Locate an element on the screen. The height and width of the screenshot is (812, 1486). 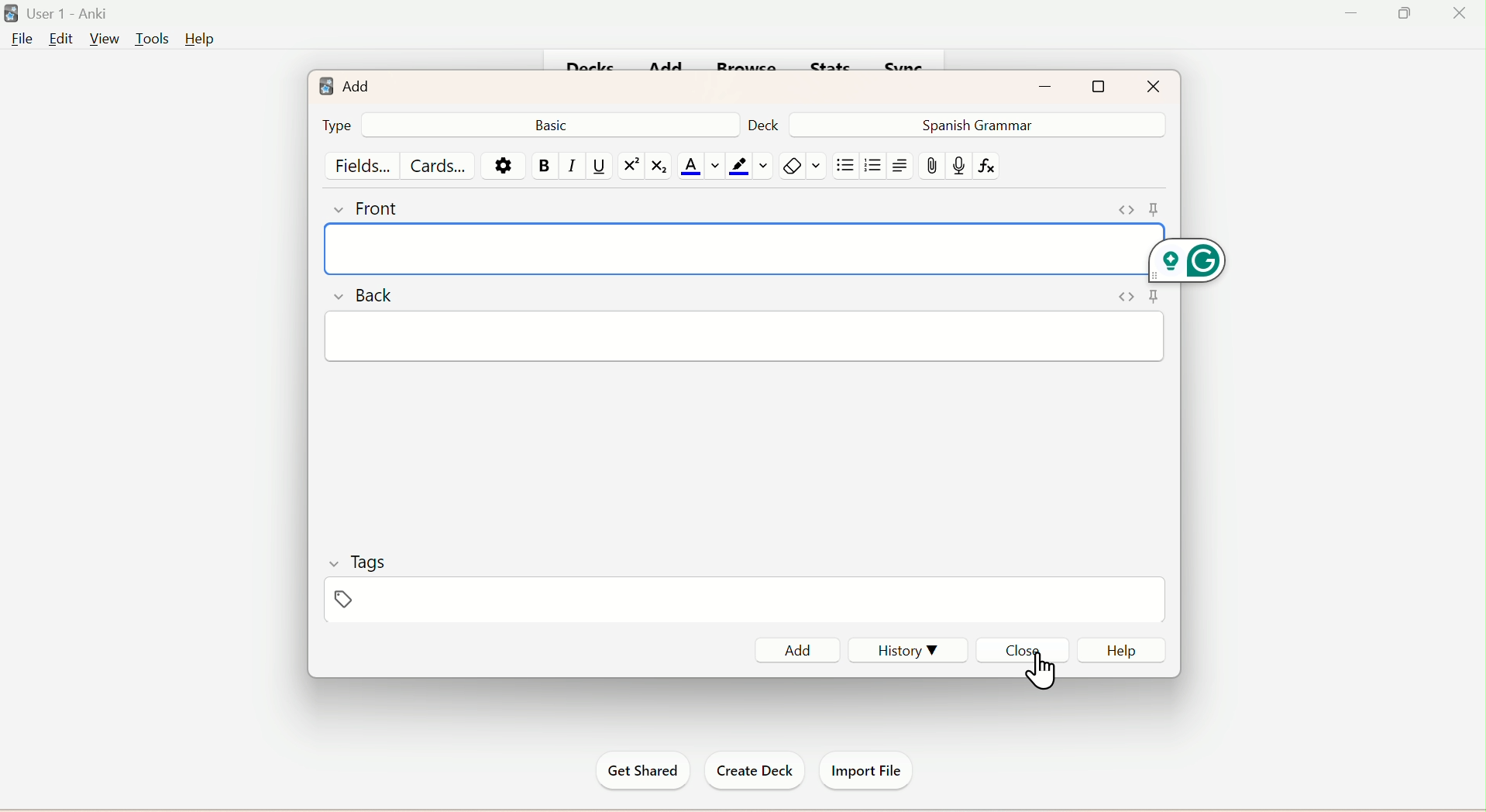
Tools is located at coordinates (148, 40).